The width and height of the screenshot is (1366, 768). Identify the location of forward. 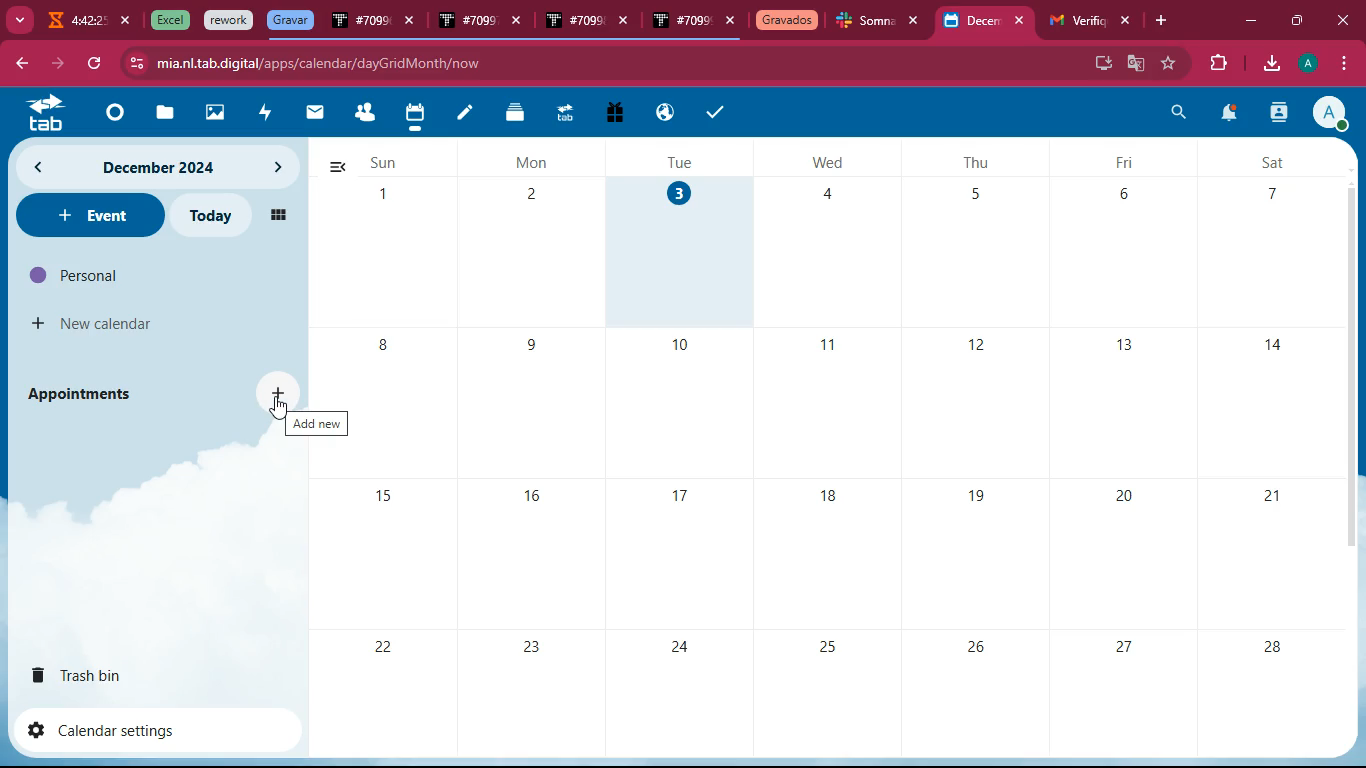
(55, 64).